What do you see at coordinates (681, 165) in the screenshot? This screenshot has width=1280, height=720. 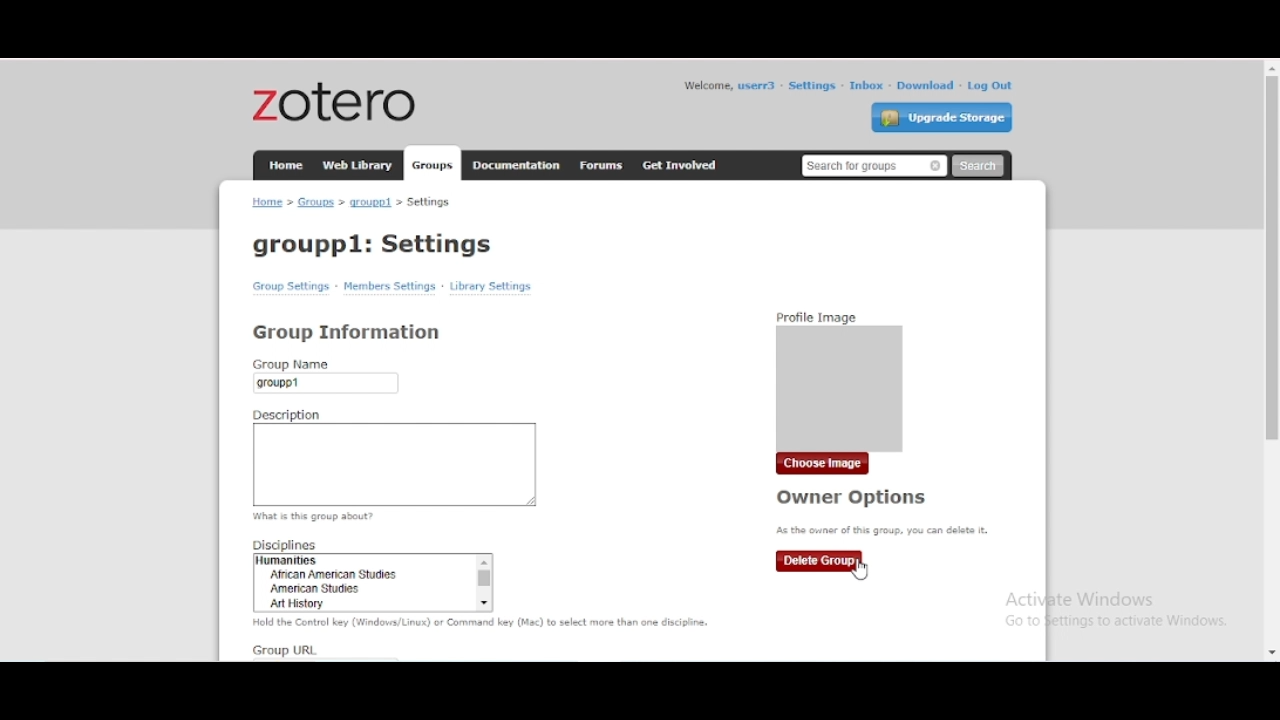 I see `get involved` at bounding box center [681, 165].